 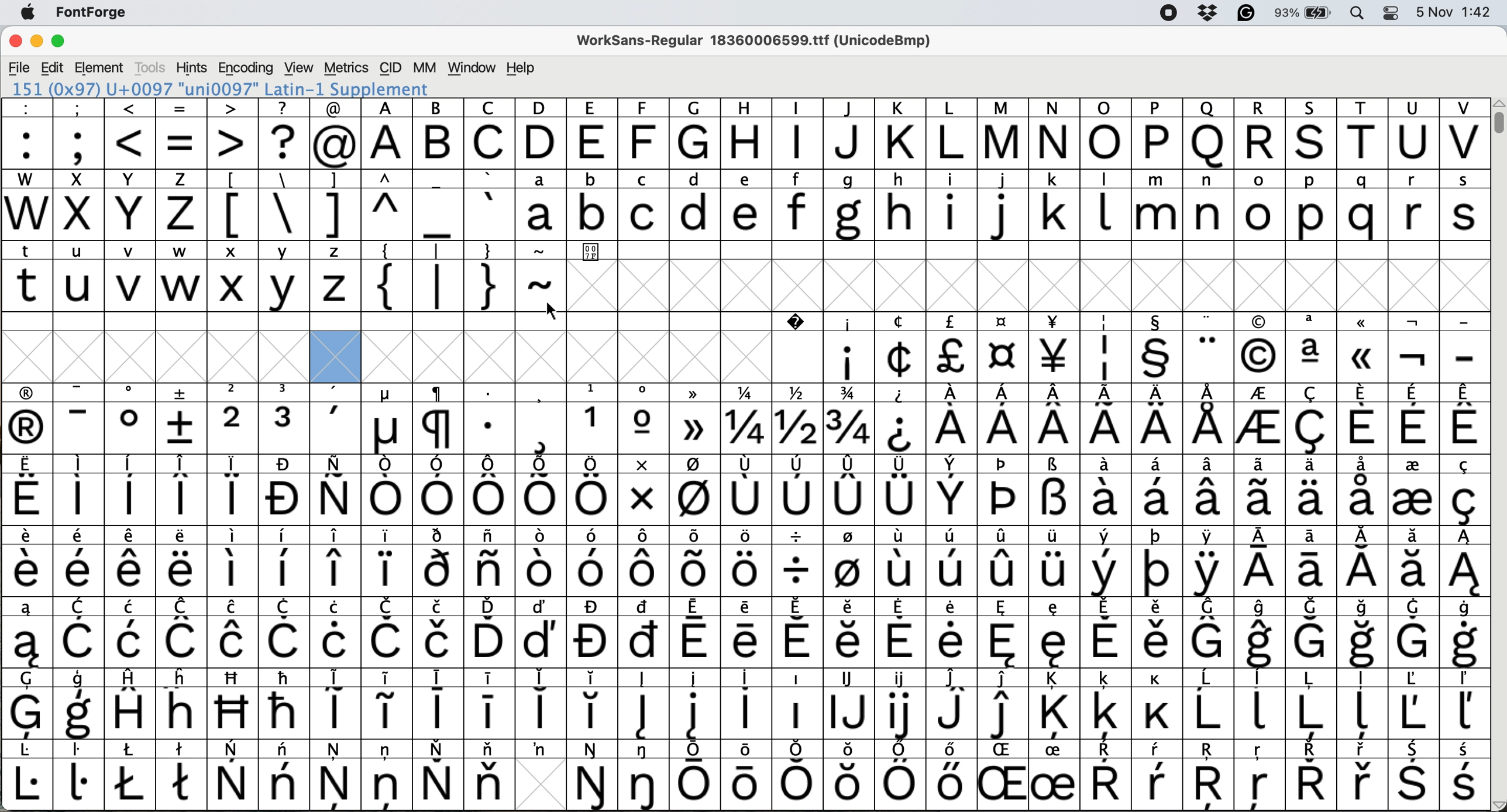 I want to click on , so click(x=1364, y=347).